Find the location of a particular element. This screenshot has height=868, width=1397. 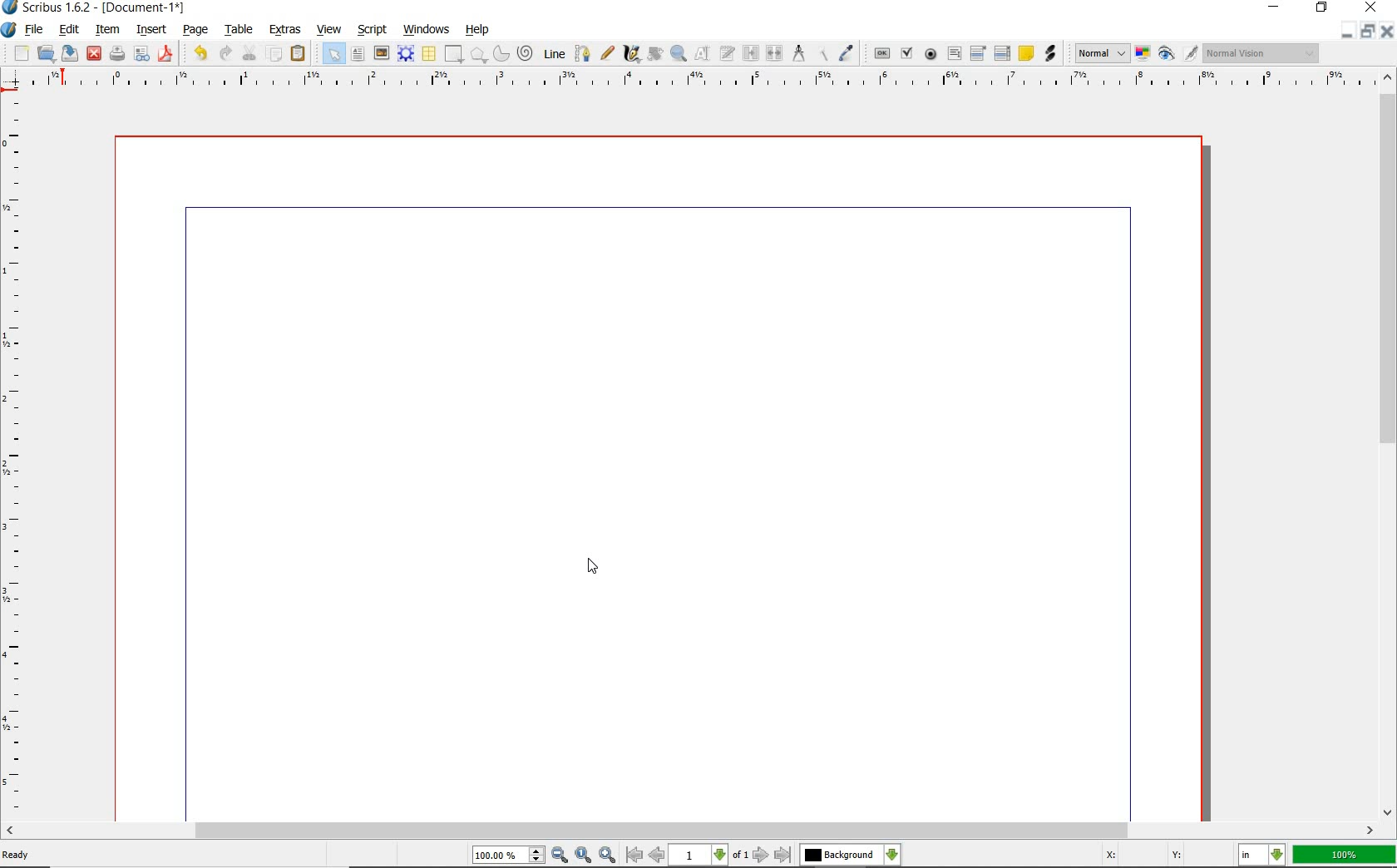

measurements is located at coordinates (799, 54).